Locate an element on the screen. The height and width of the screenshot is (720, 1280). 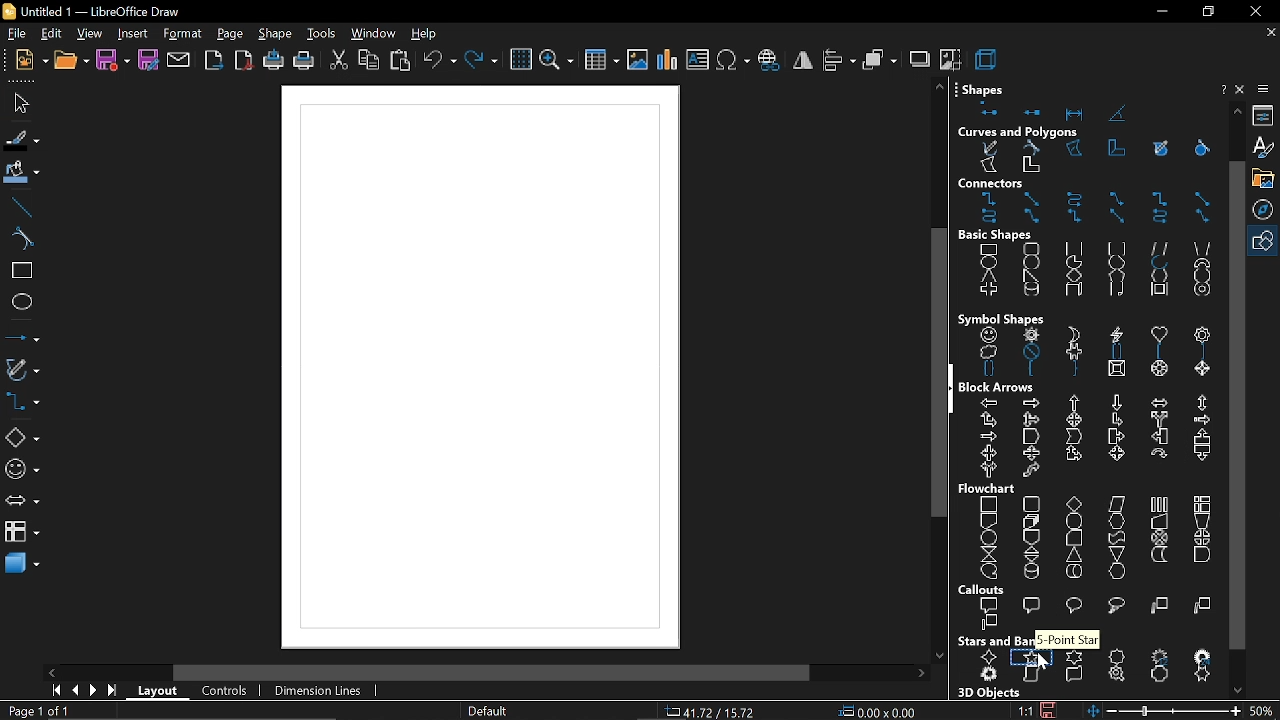
new is located at coordinates (29, 59).